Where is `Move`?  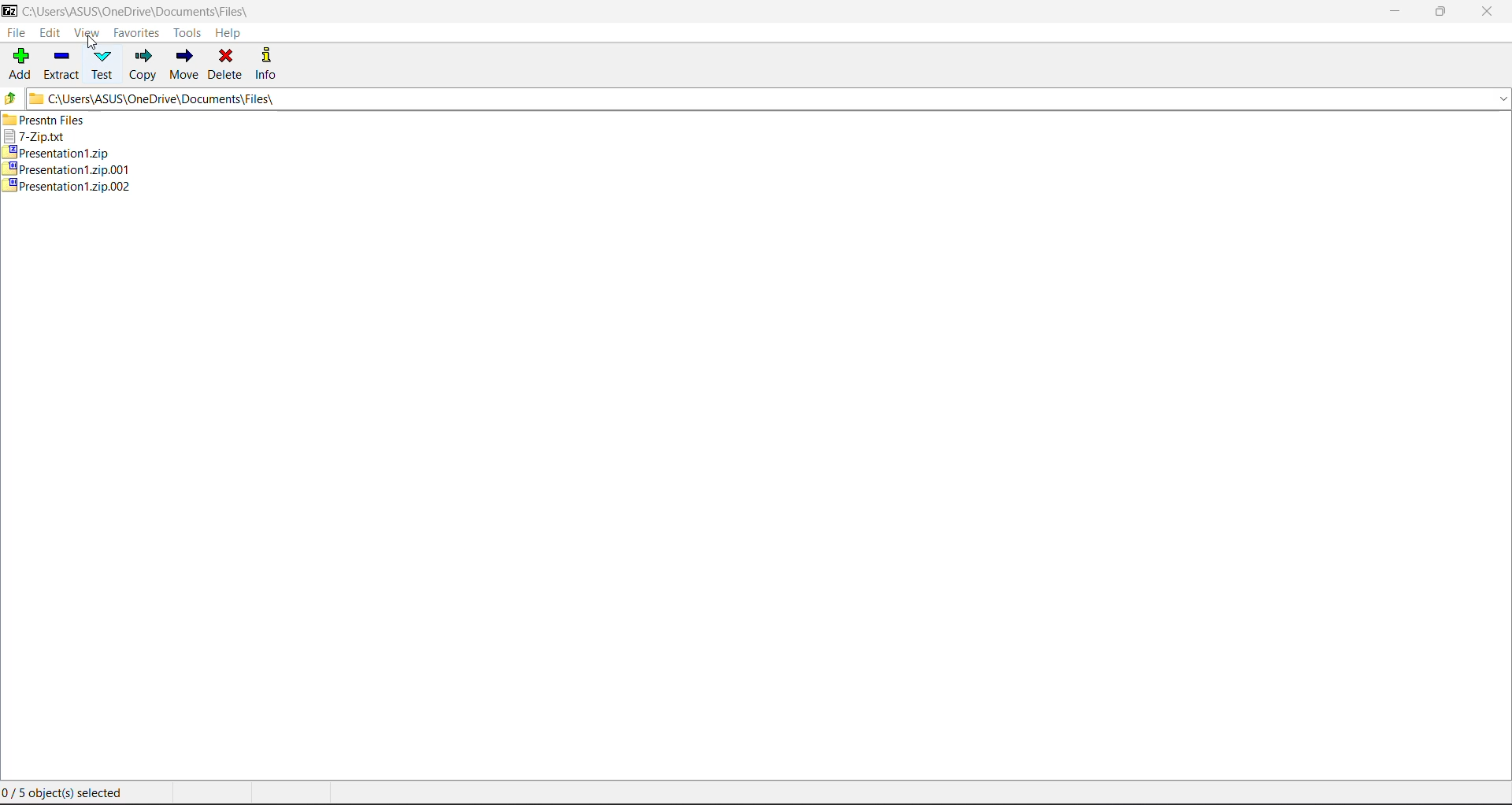
Move is located at coordinates (183, 65).